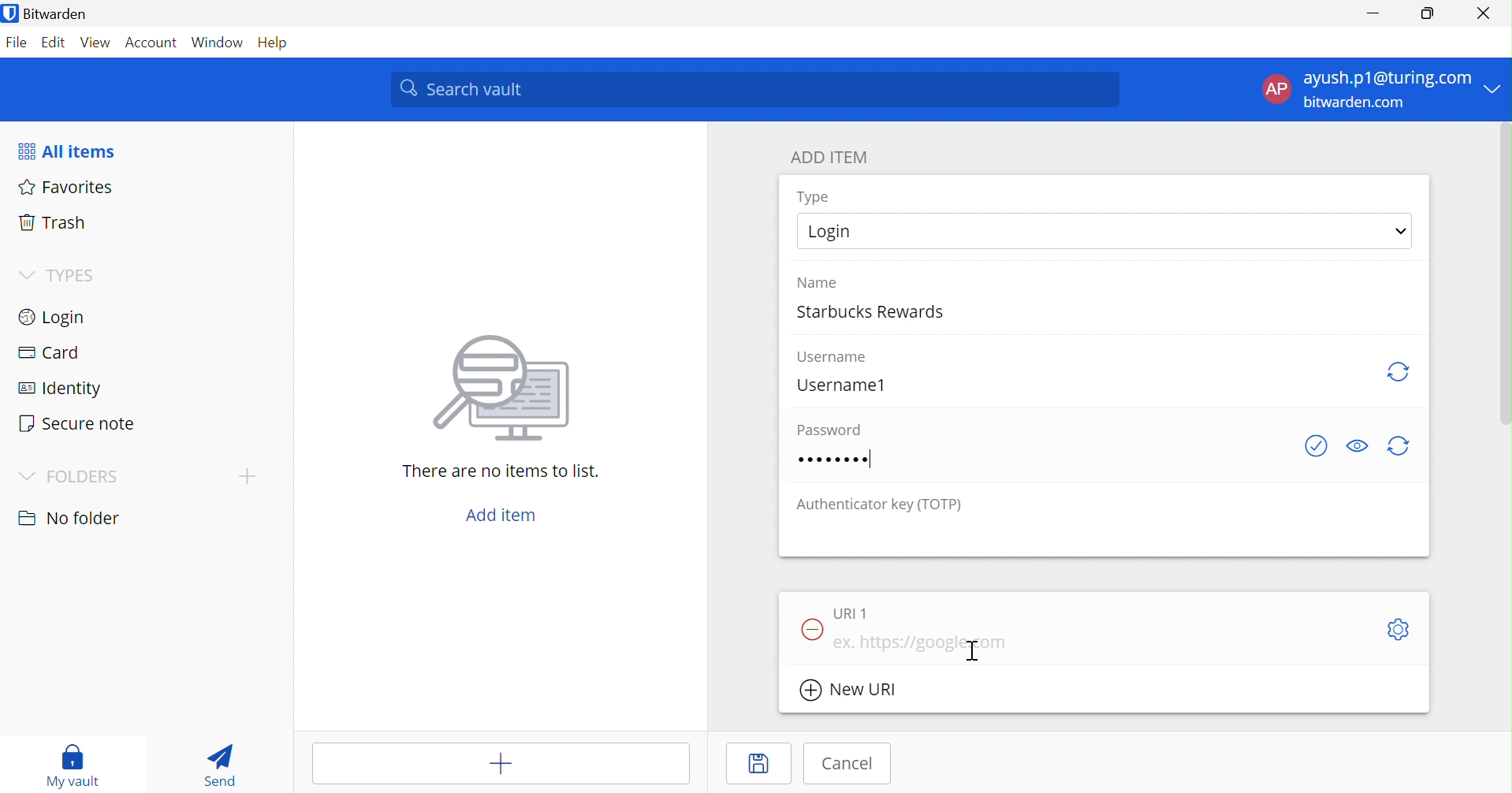 This screenshot has width=1512, height=793. I want to click on Minimize, so click(1375, 9).